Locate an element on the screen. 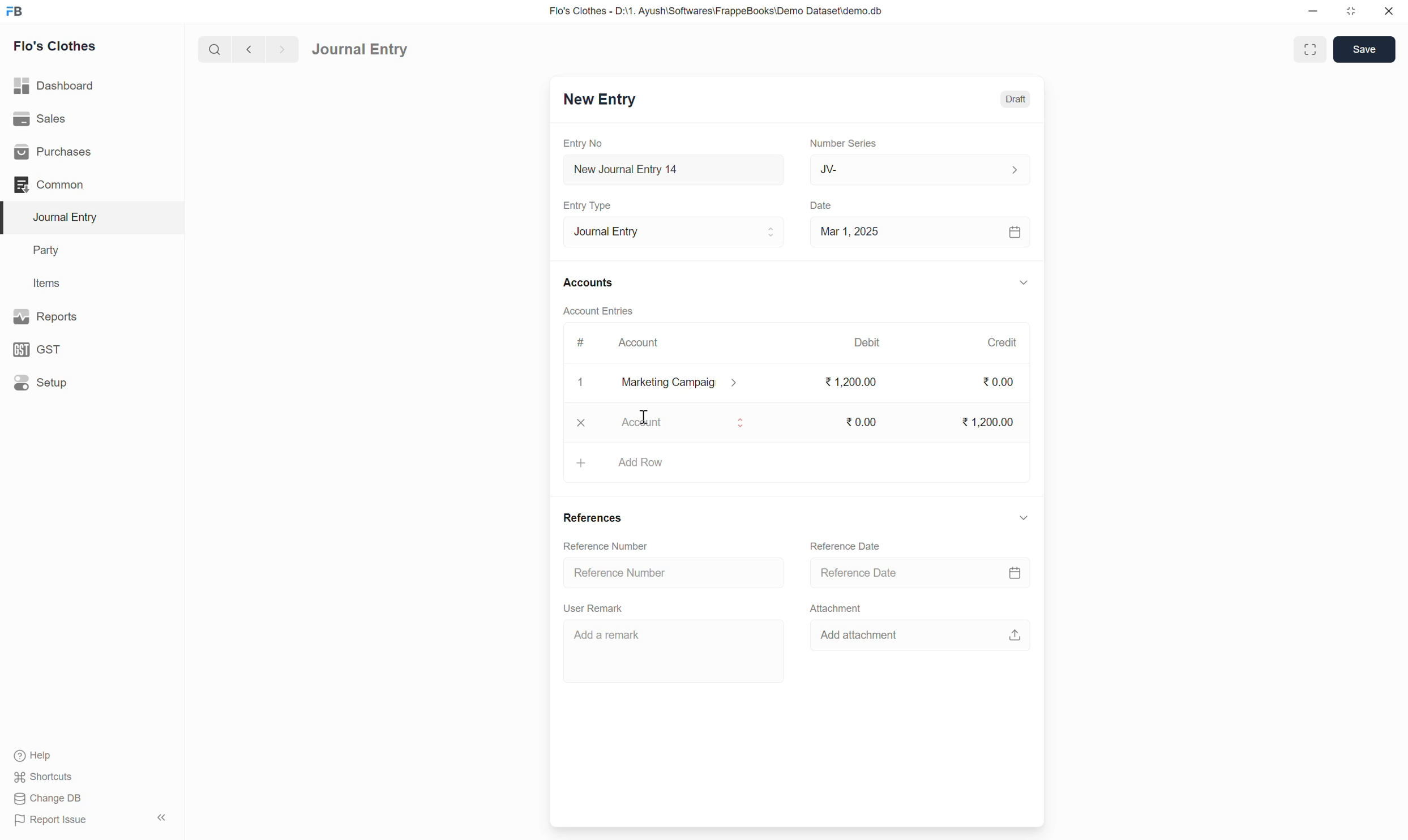 This screenshot has width=1408, height=840. Sales is located at coordinates (39, 117).